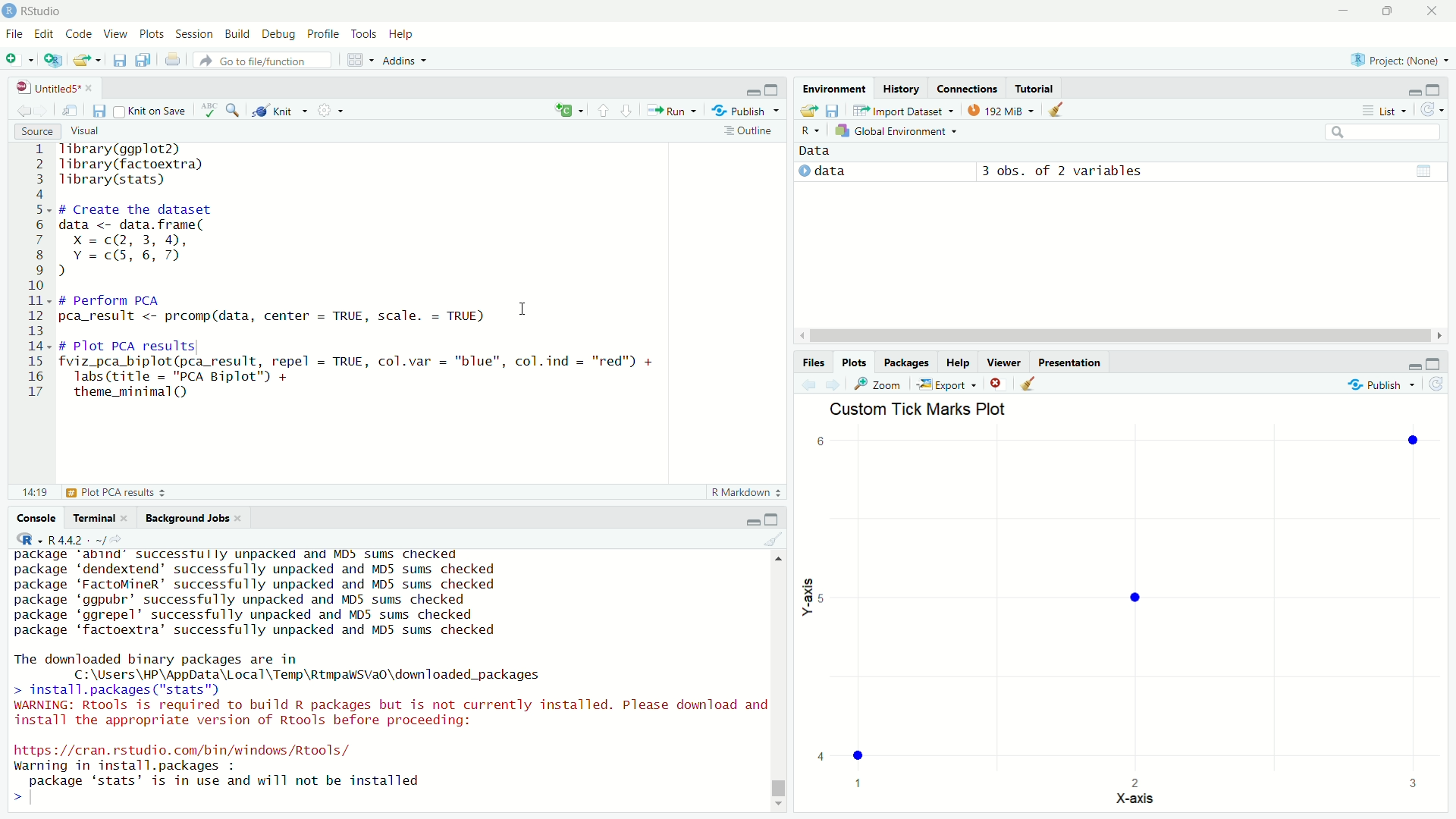 The height and width of the screenshot is (819, 1456). What do you see at coordinates (146, 60) in the screenshot?
I see `save all open documents` at bounding box center [146, 60].